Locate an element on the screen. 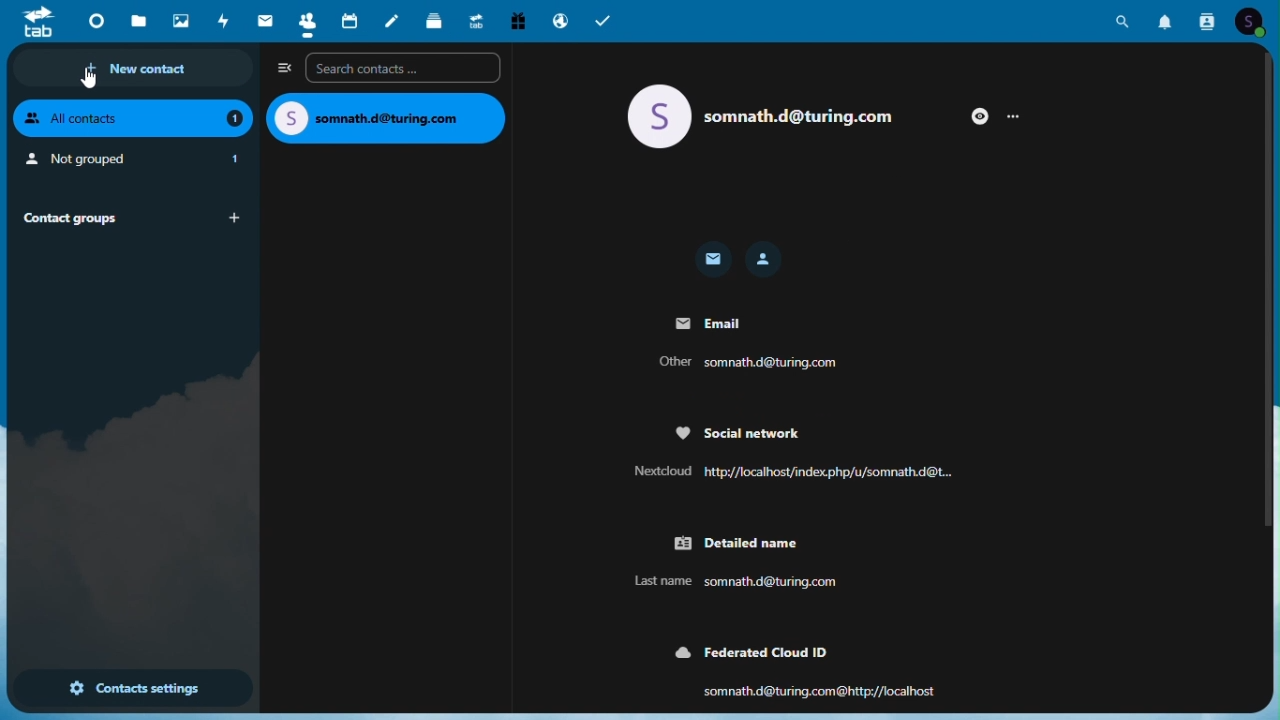 The height and width of the screenshot is (720, 1280). All contacts is located at coordinates (133, 118).